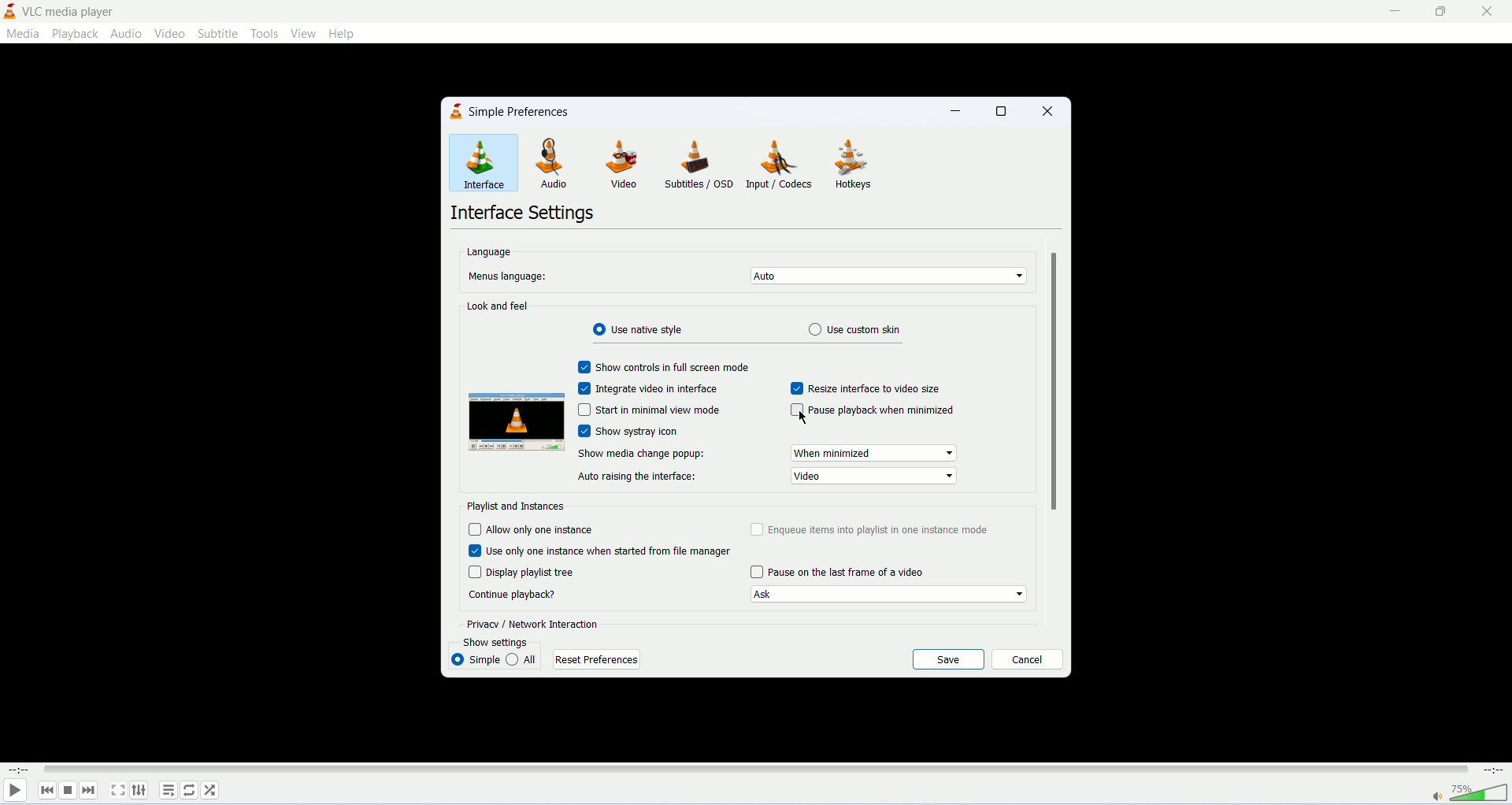  I want to click on Checkbox, so click(584, 432).